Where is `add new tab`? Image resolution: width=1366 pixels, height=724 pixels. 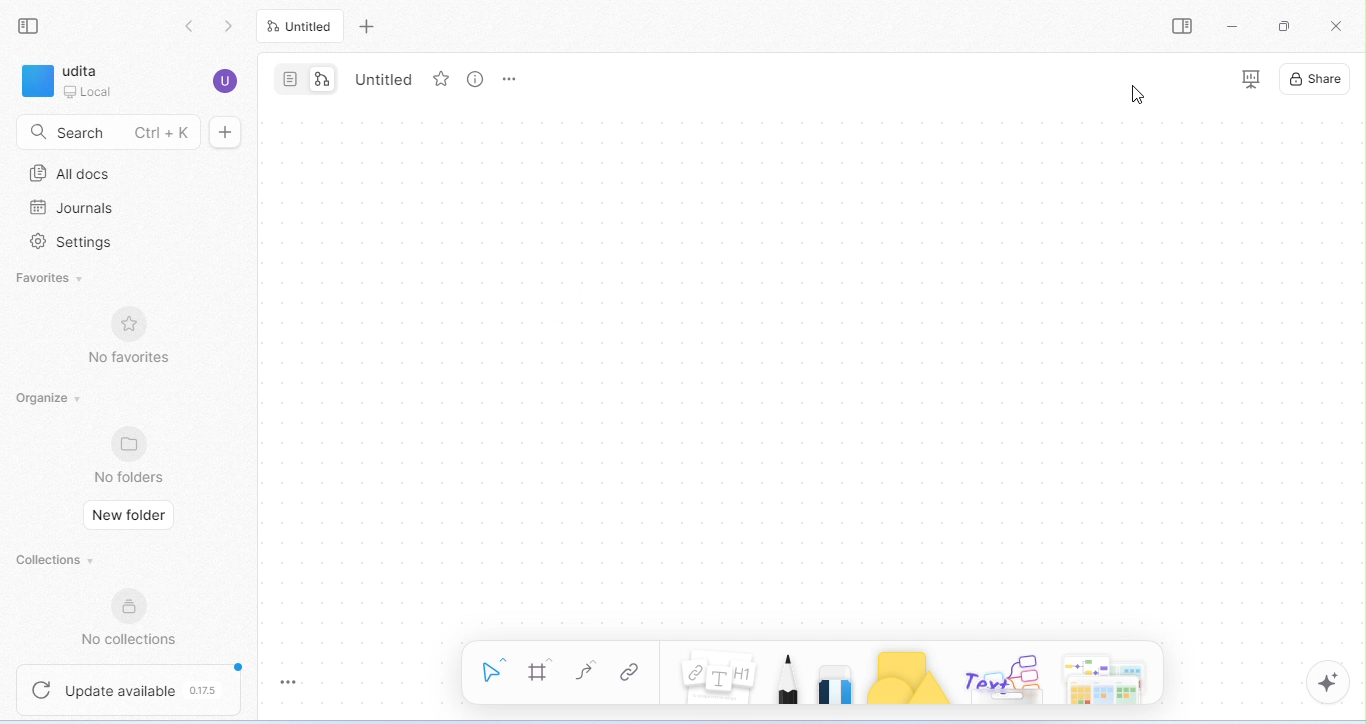 add new tab is located at coordinates (369, 27).